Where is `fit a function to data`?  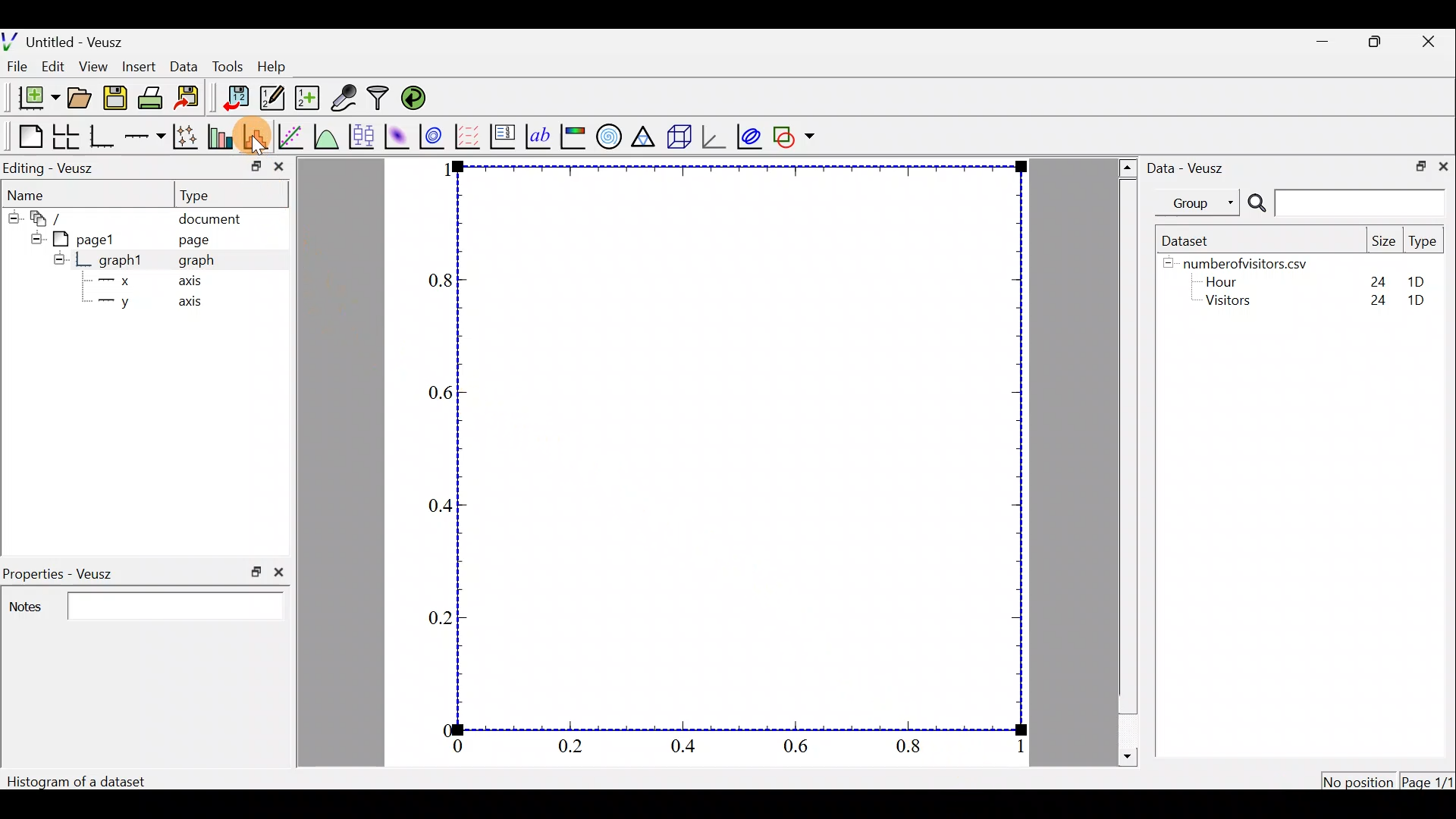 fit a function to data is located at coordinates (294, 137).